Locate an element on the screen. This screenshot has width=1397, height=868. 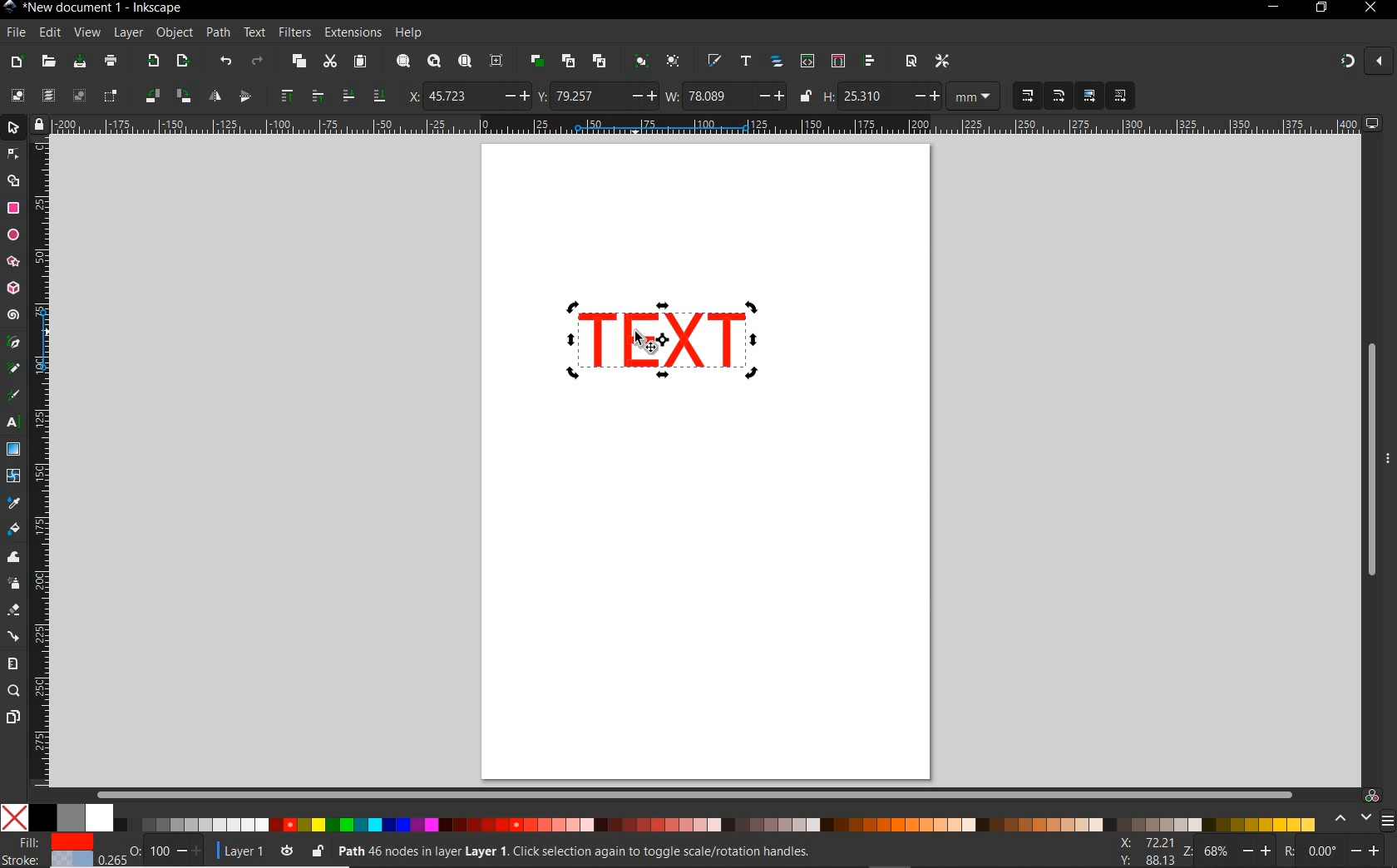
ENABLE SNAPPING TOOL is located at coordinates (1365, 61).